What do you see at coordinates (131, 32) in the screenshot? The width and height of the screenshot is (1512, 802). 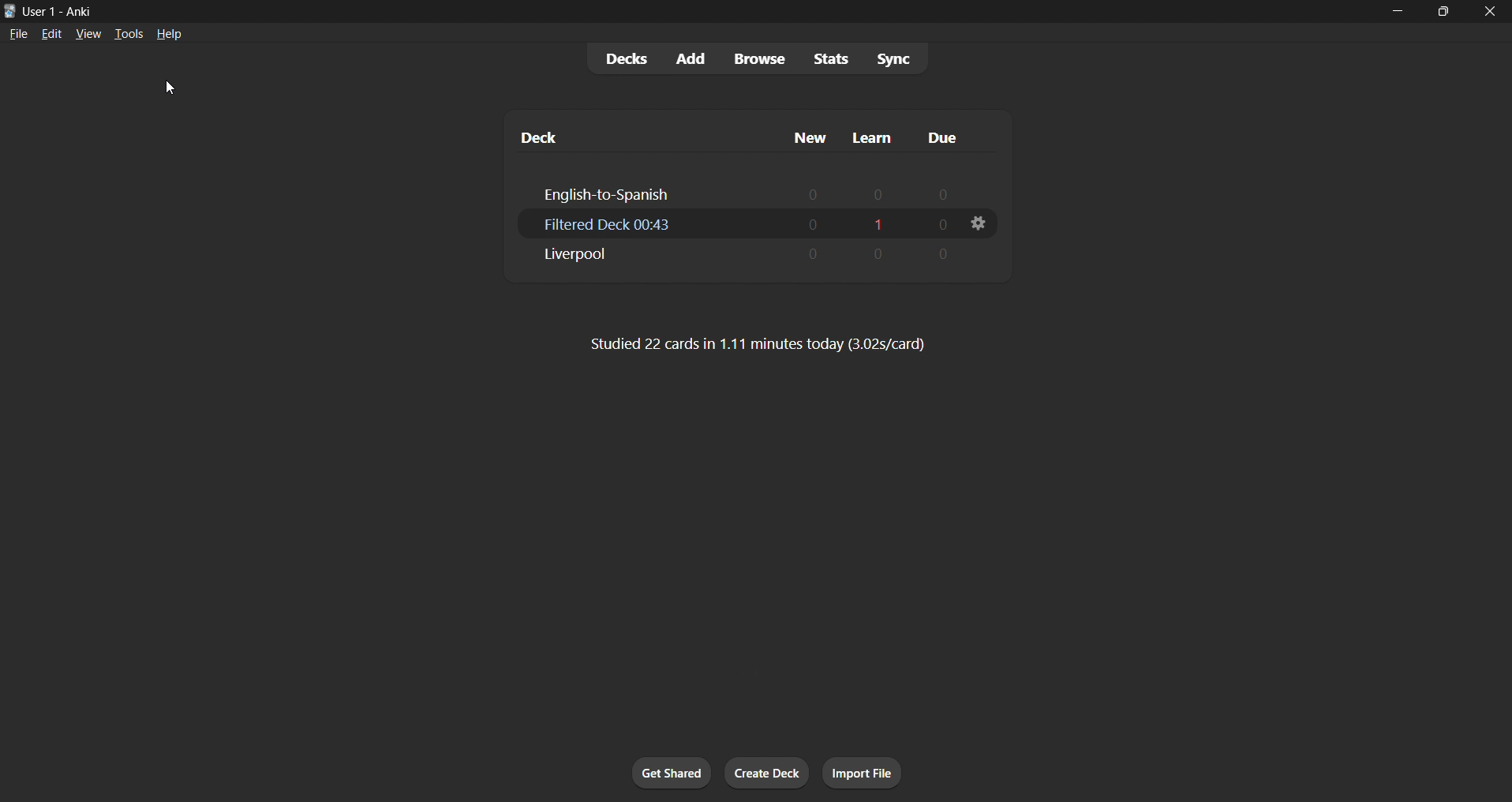 I see `tools` at bounding box center [131, 32].